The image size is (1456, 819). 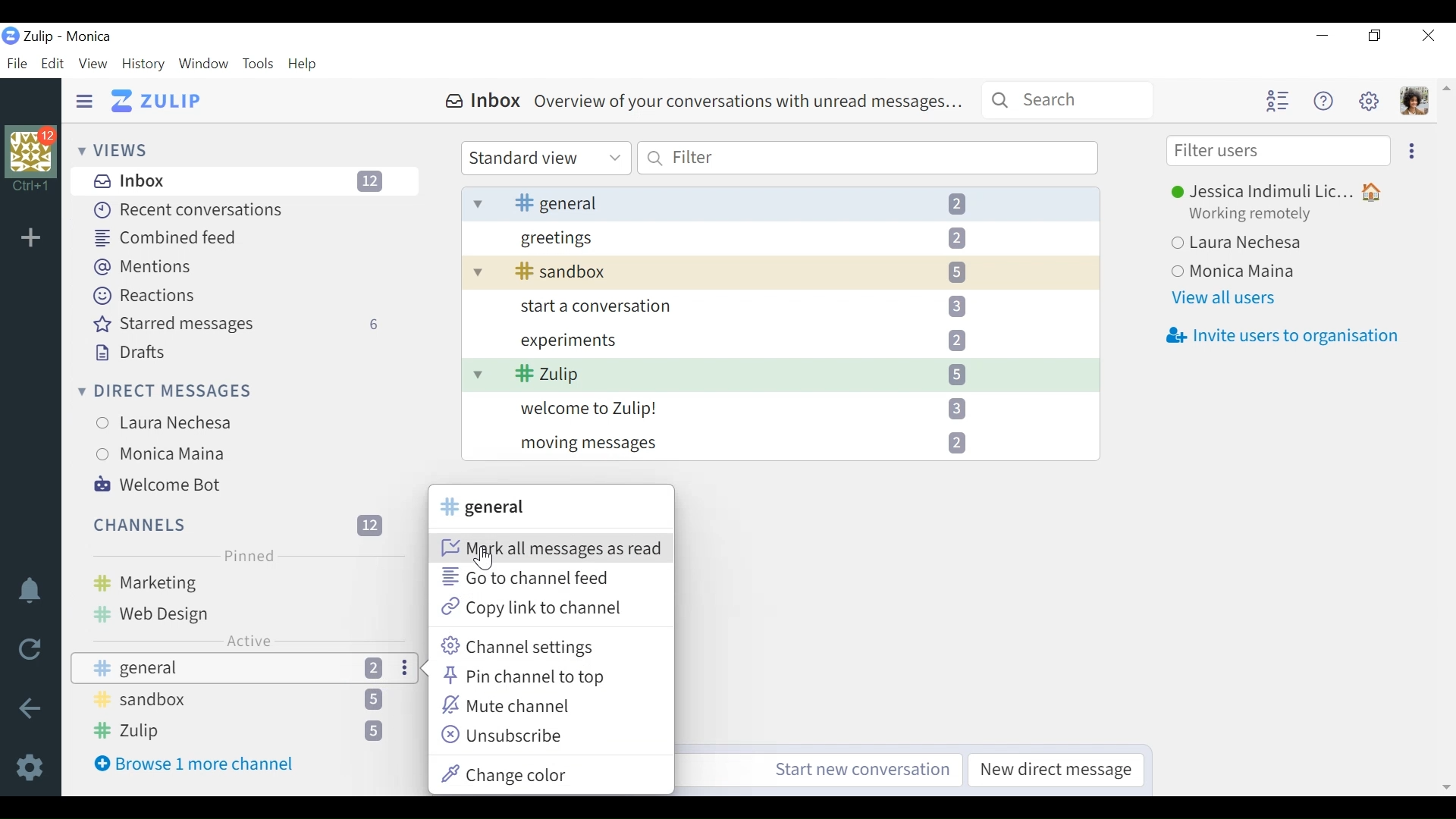 I want to click on Settings, so click(x=33, y=766).